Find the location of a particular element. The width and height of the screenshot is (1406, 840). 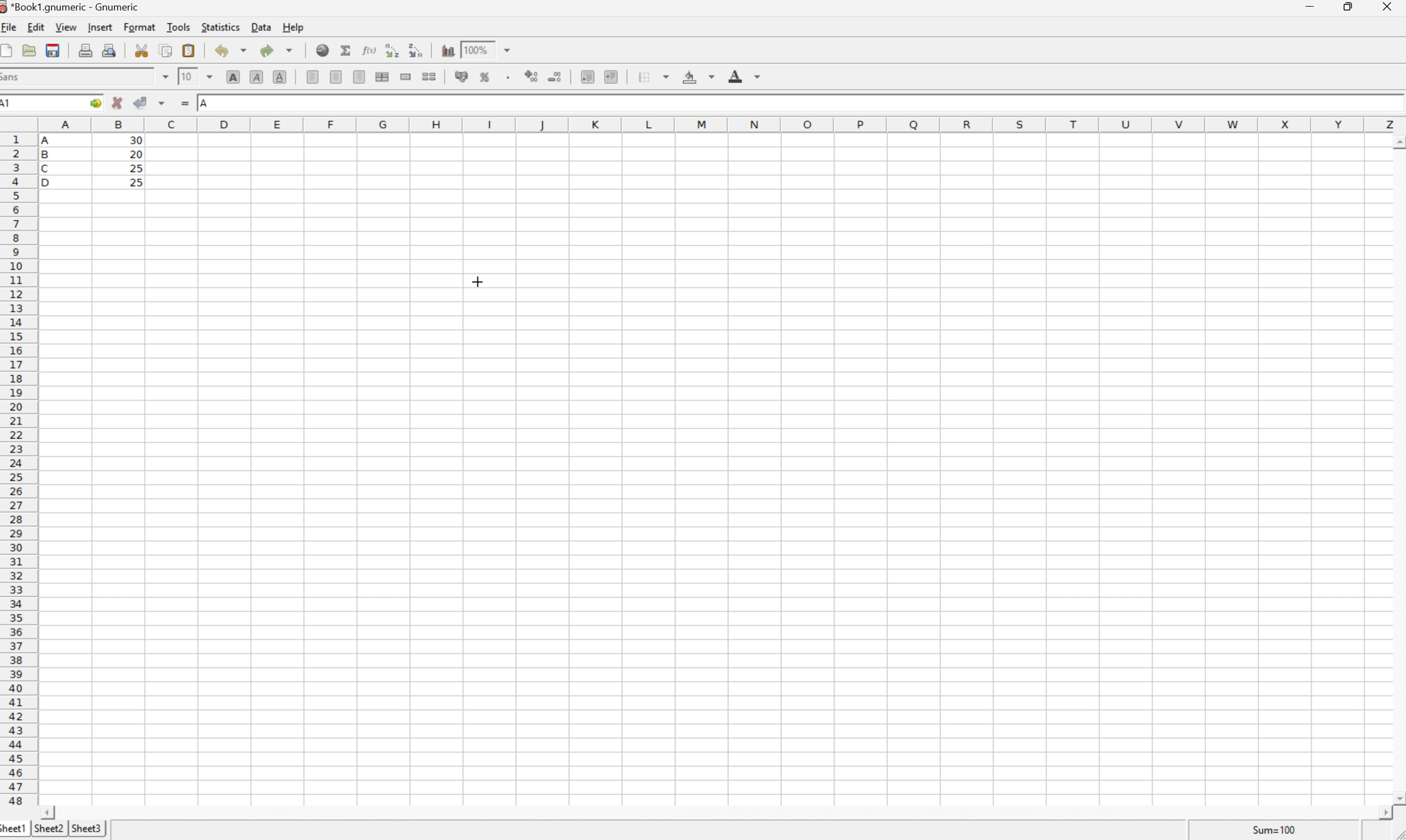

Open a file is located at coordinates (29, 50).